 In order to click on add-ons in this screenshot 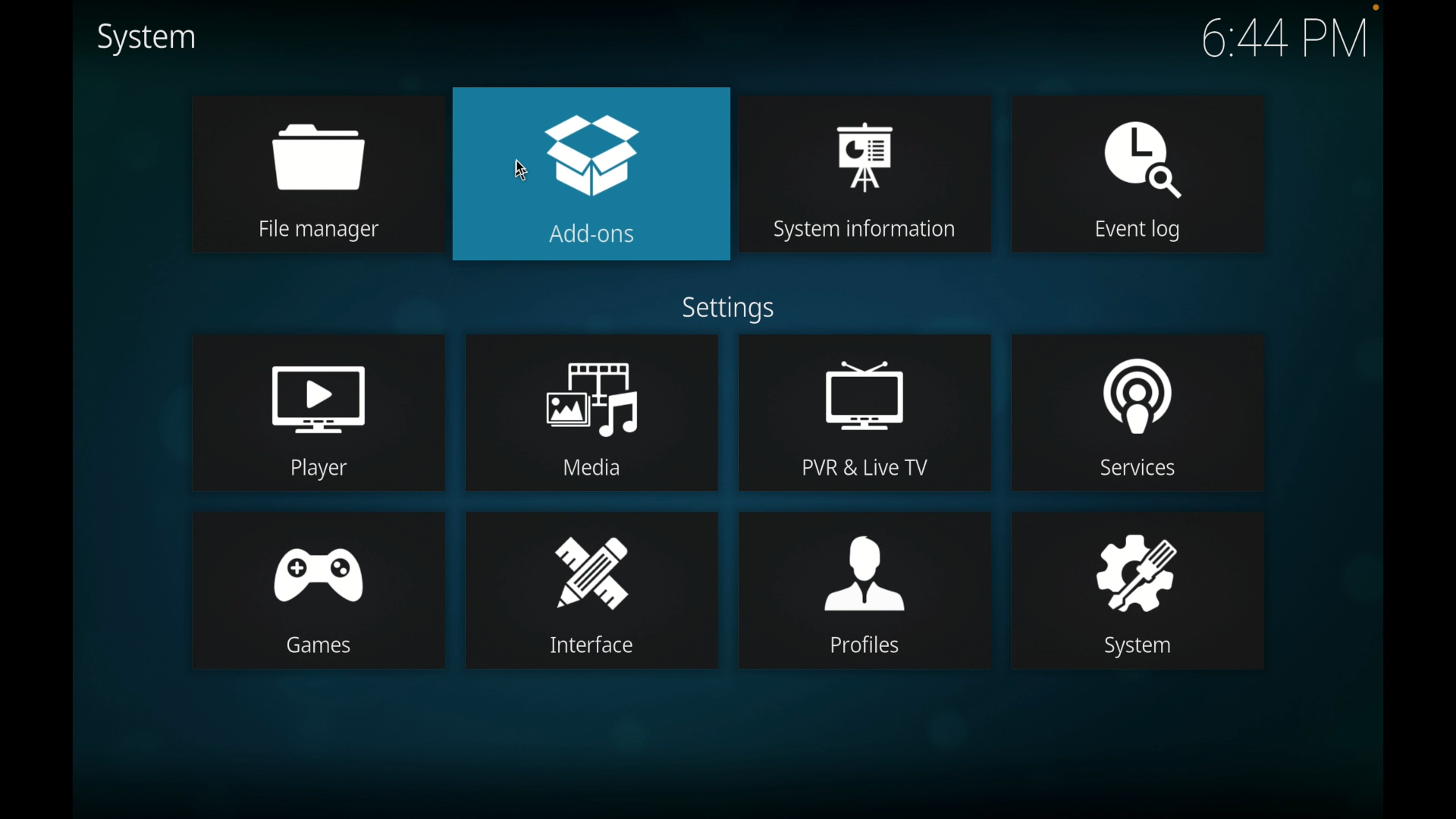, I will do `click(591, 173)`.